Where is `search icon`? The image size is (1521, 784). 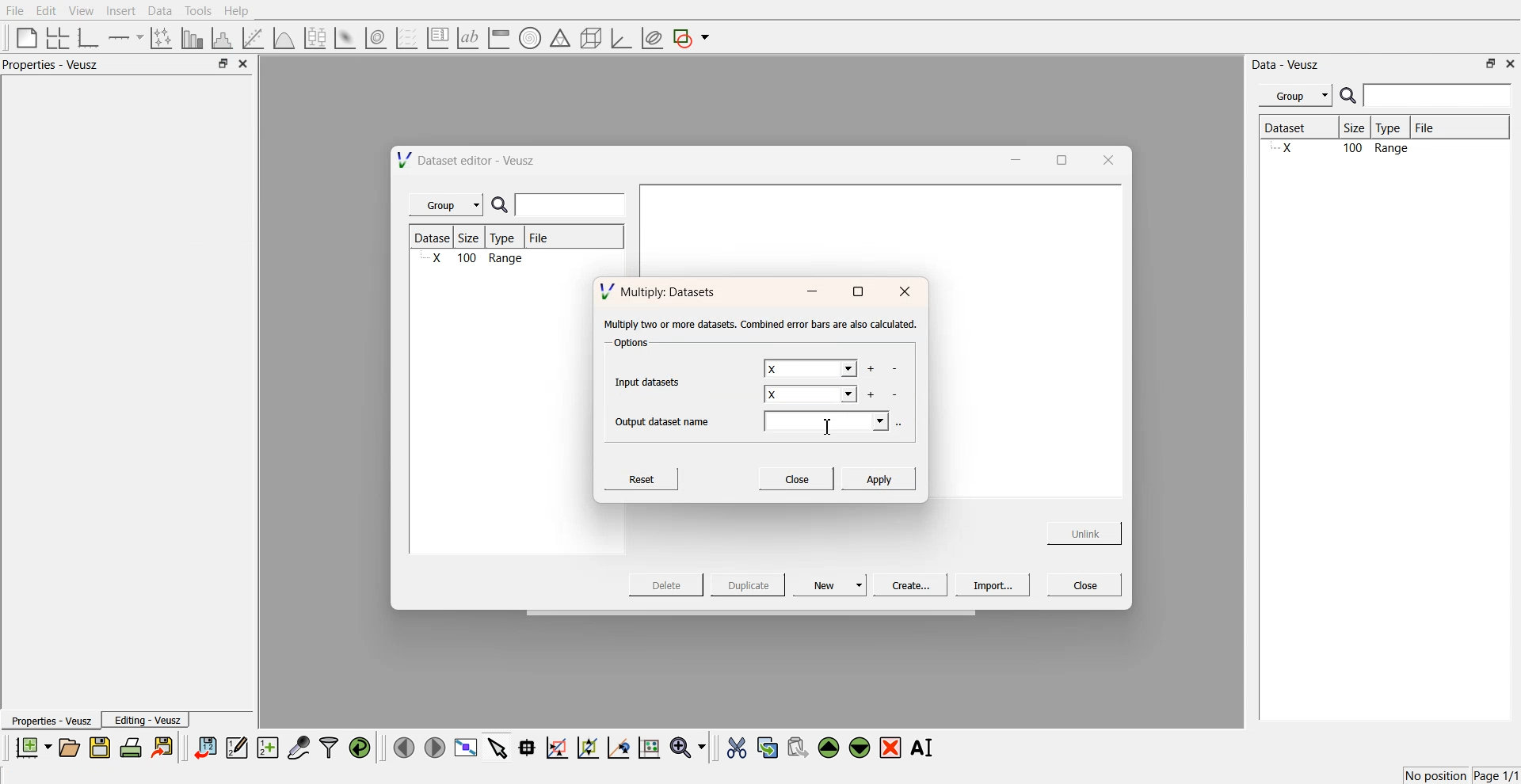
search icon is located at coordinates (503, 206).